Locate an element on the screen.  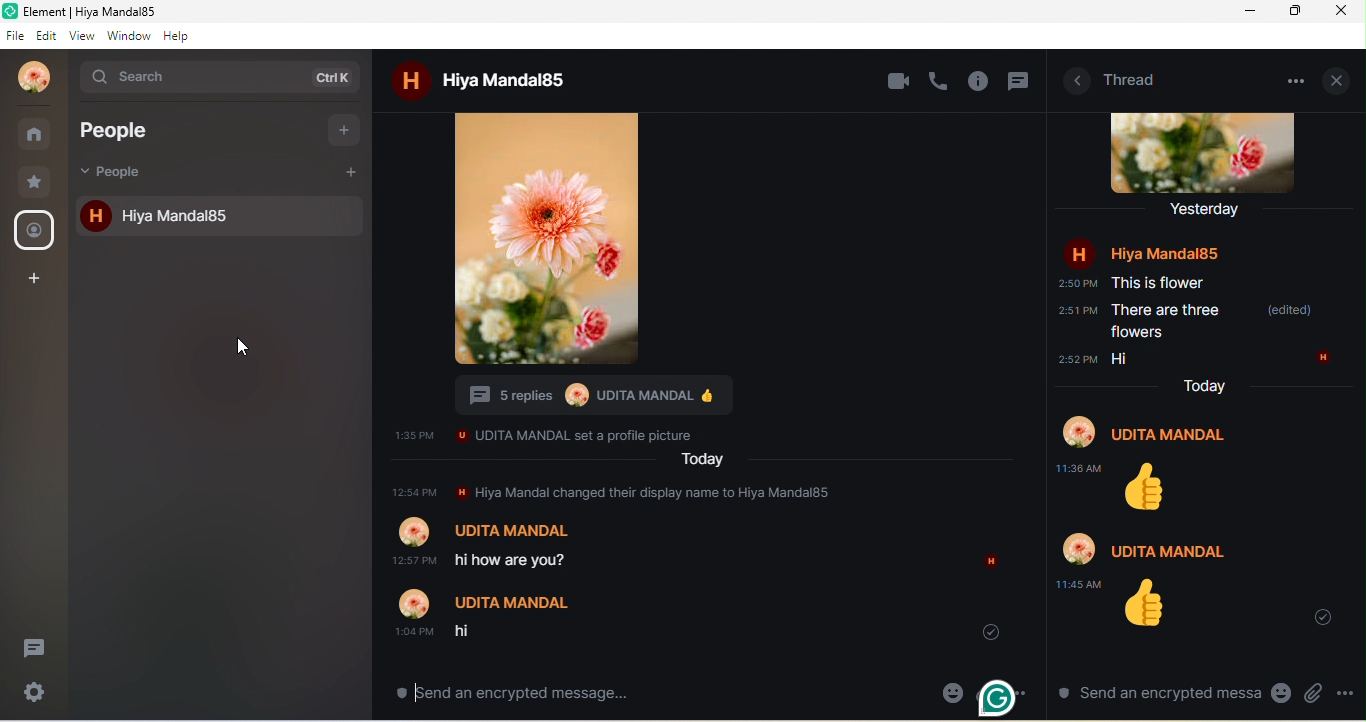
Element | Hiya Mandal85 is located at coordinates (134, 12).